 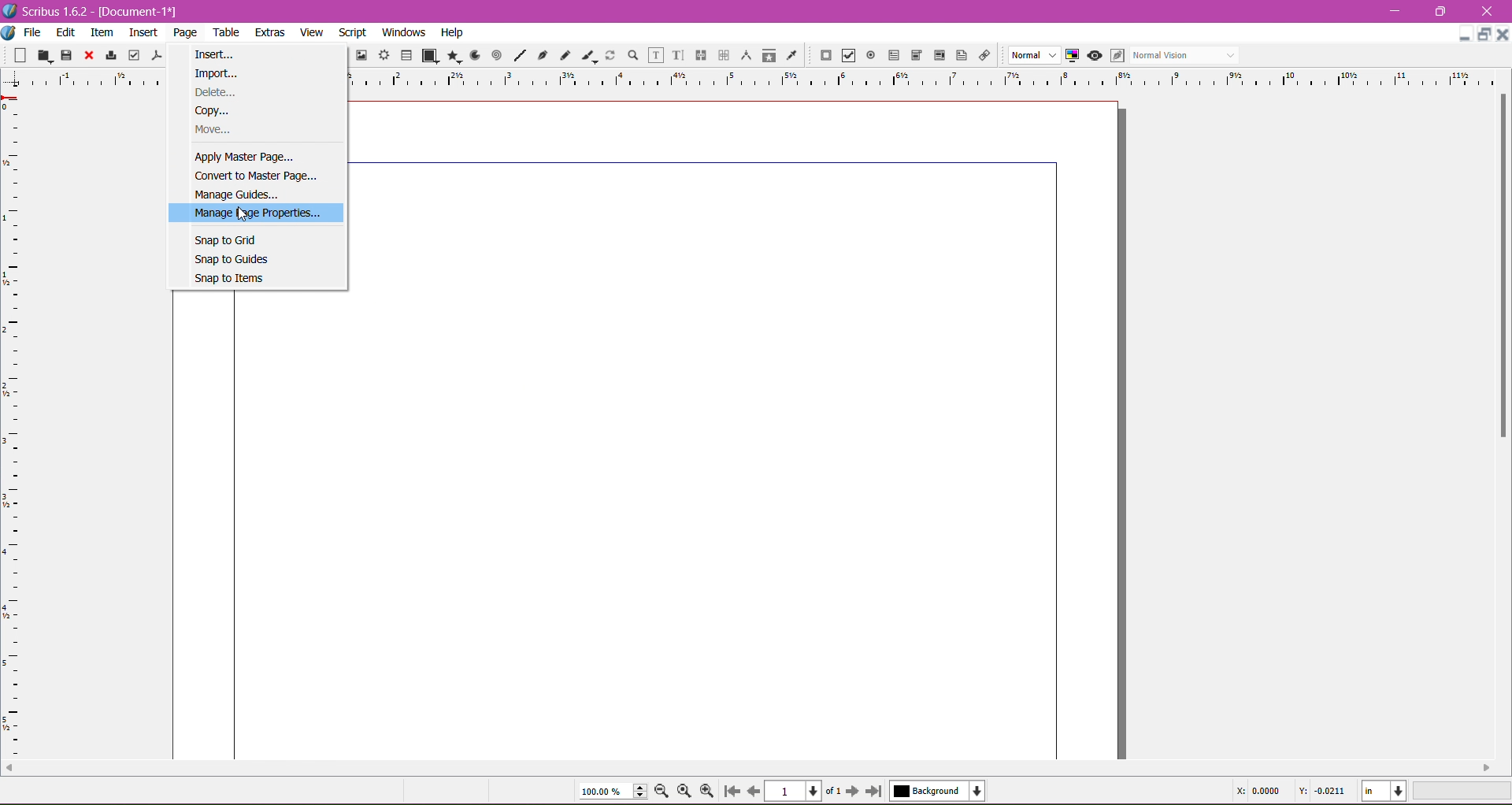 What do you see at coordinates (225, 32) in the screenshot?
I see `Table` at bounding box center [225, 32].